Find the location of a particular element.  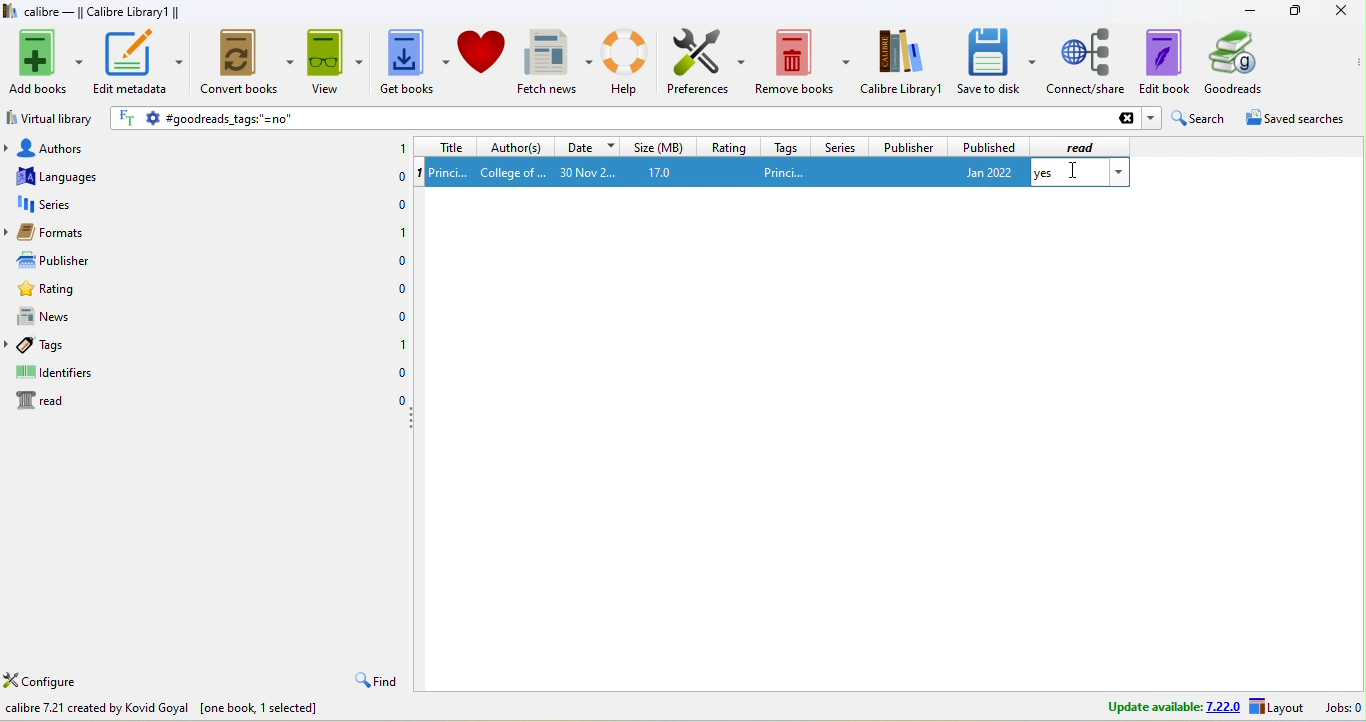

0 is located at coordinates (402, 318).